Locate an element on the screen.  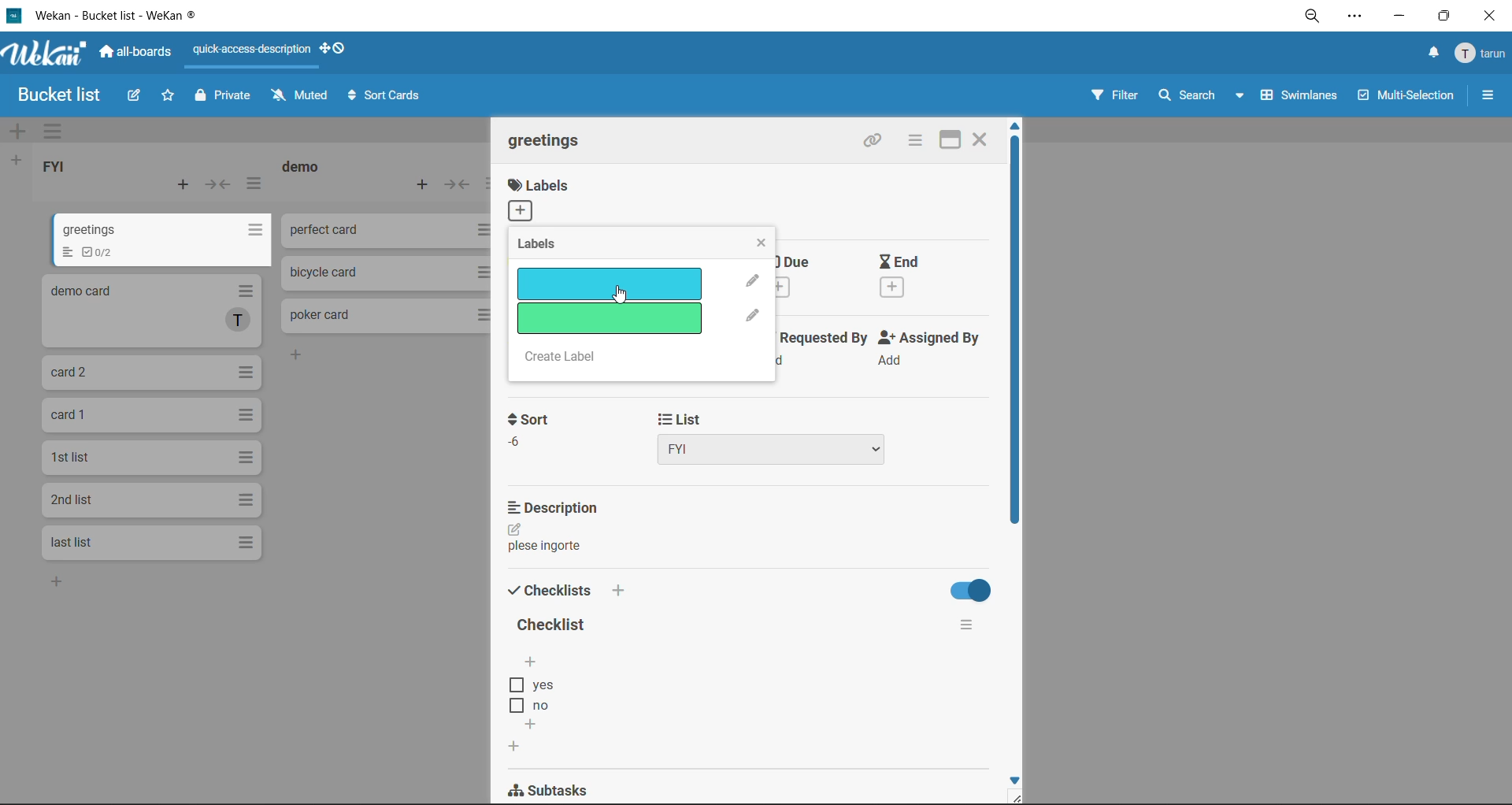
checklist actions is located at coordinates (962, 626).